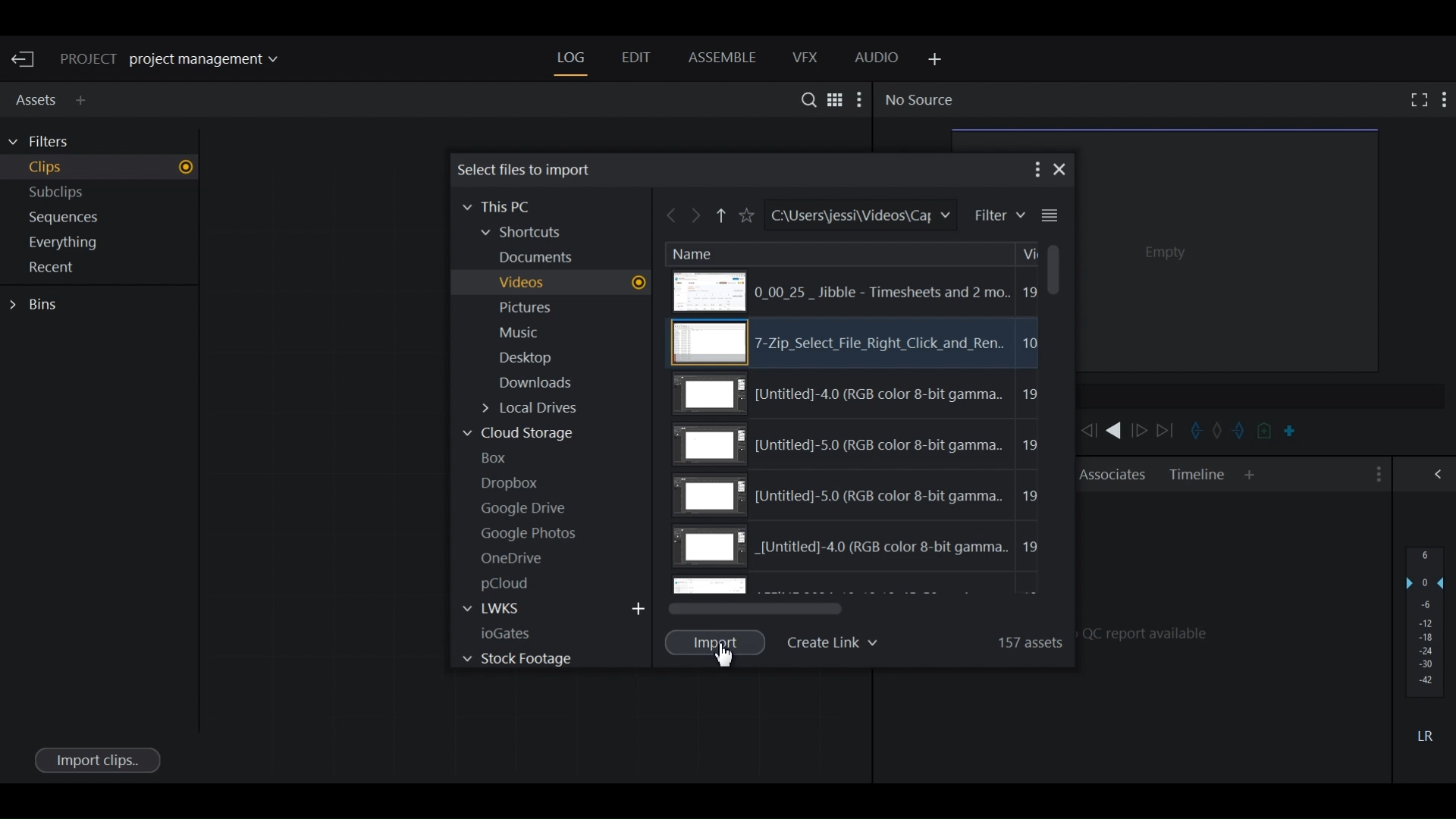 This screenshot has width=1456, height=819. Describe the element at coordinates (527, 169) in the screenshot. I see `Select files to import` at that location.